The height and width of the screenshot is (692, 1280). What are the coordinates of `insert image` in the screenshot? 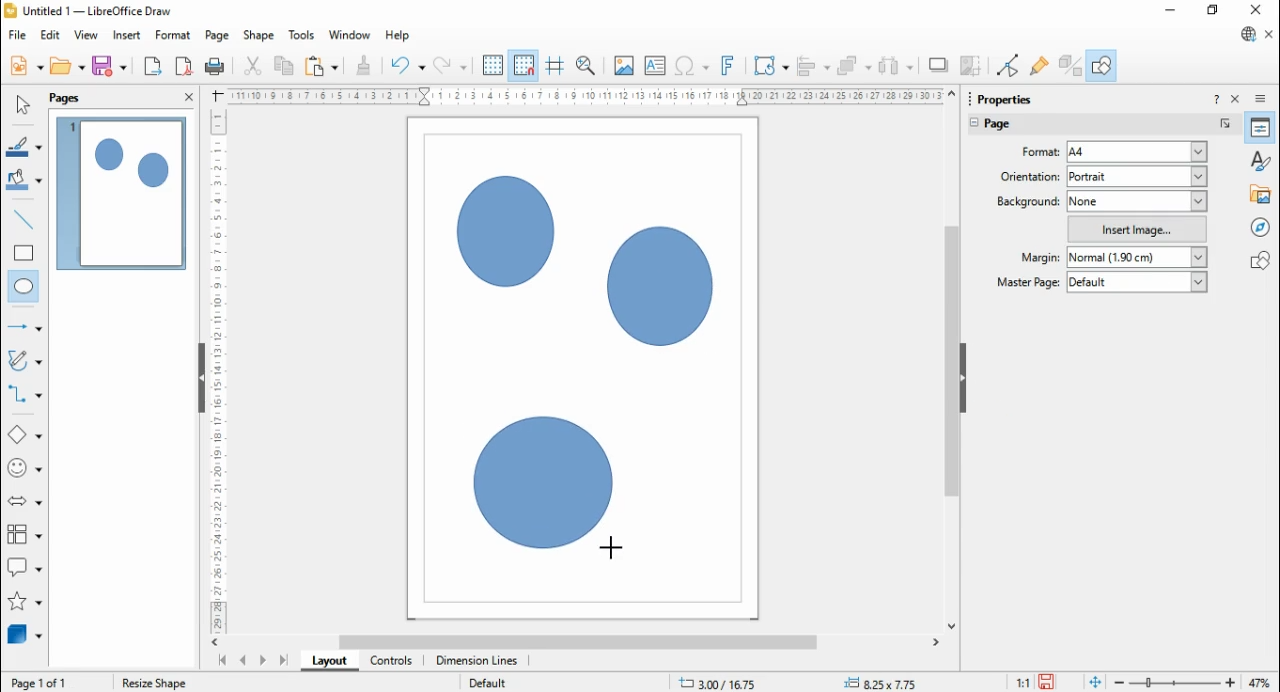 It's located at (1138, 228).